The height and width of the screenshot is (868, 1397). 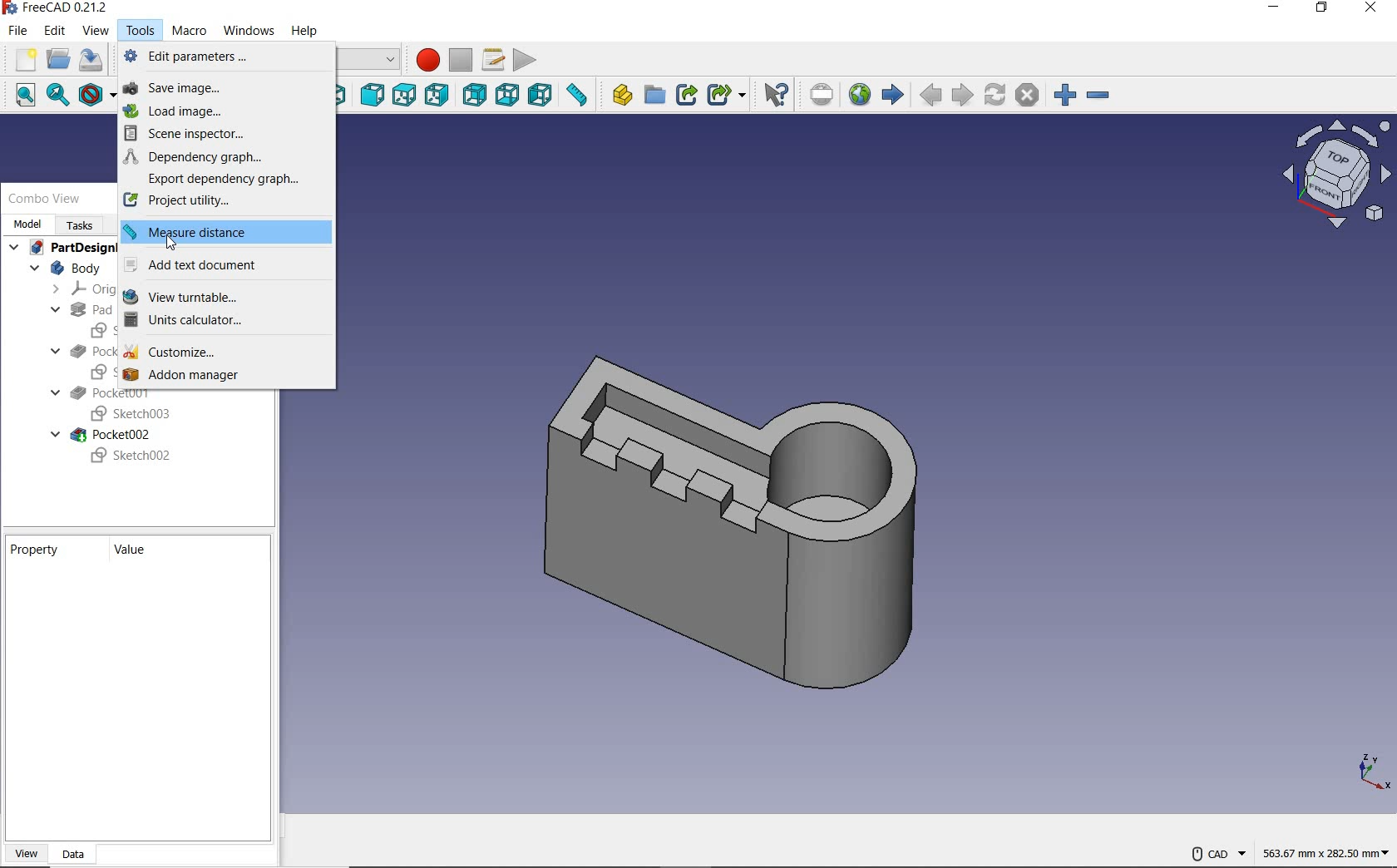 I want to click on VALUE, so click(x=134, y=551).